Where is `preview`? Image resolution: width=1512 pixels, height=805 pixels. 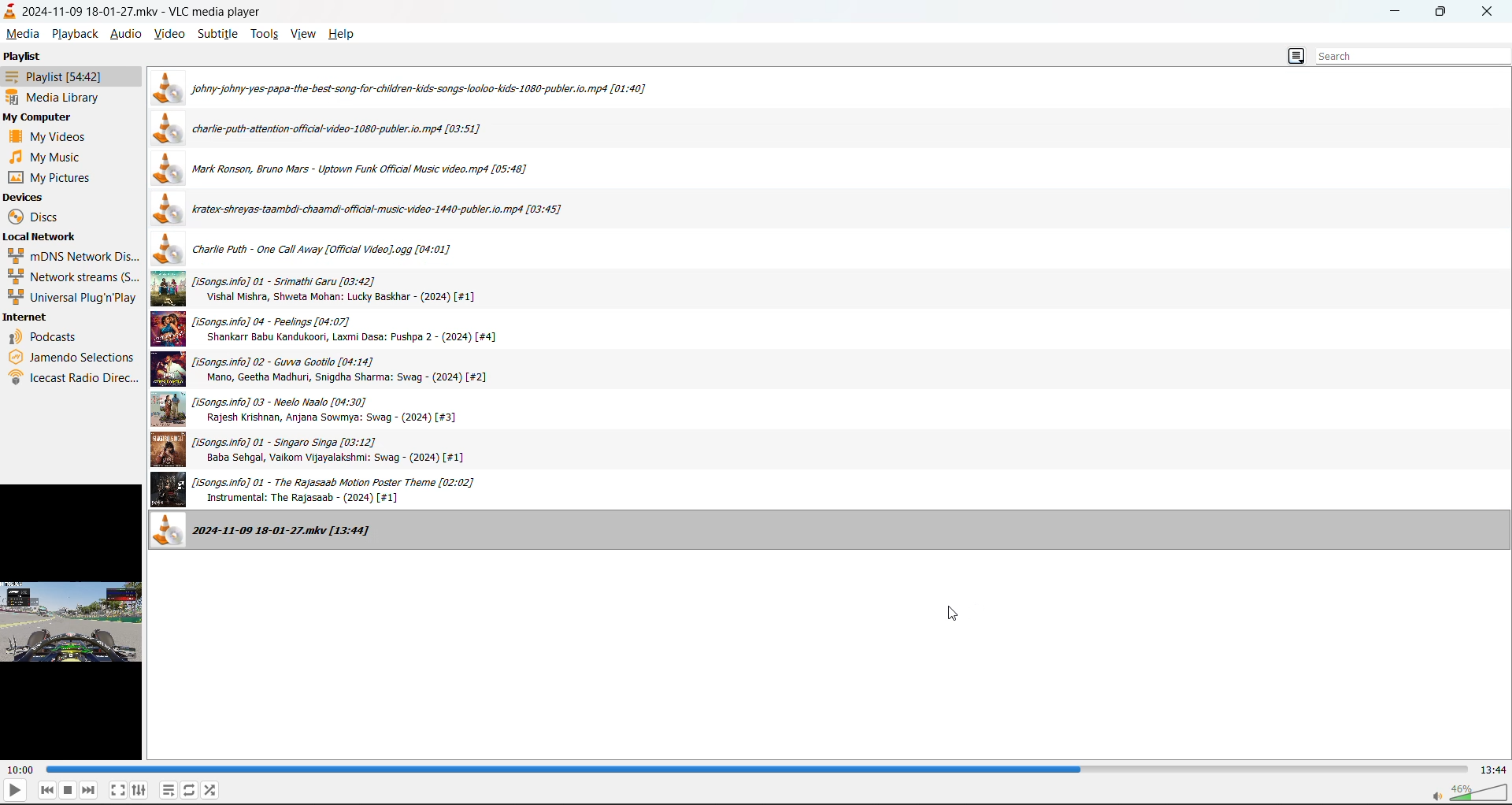
preview is located at coordinates (74, 622).